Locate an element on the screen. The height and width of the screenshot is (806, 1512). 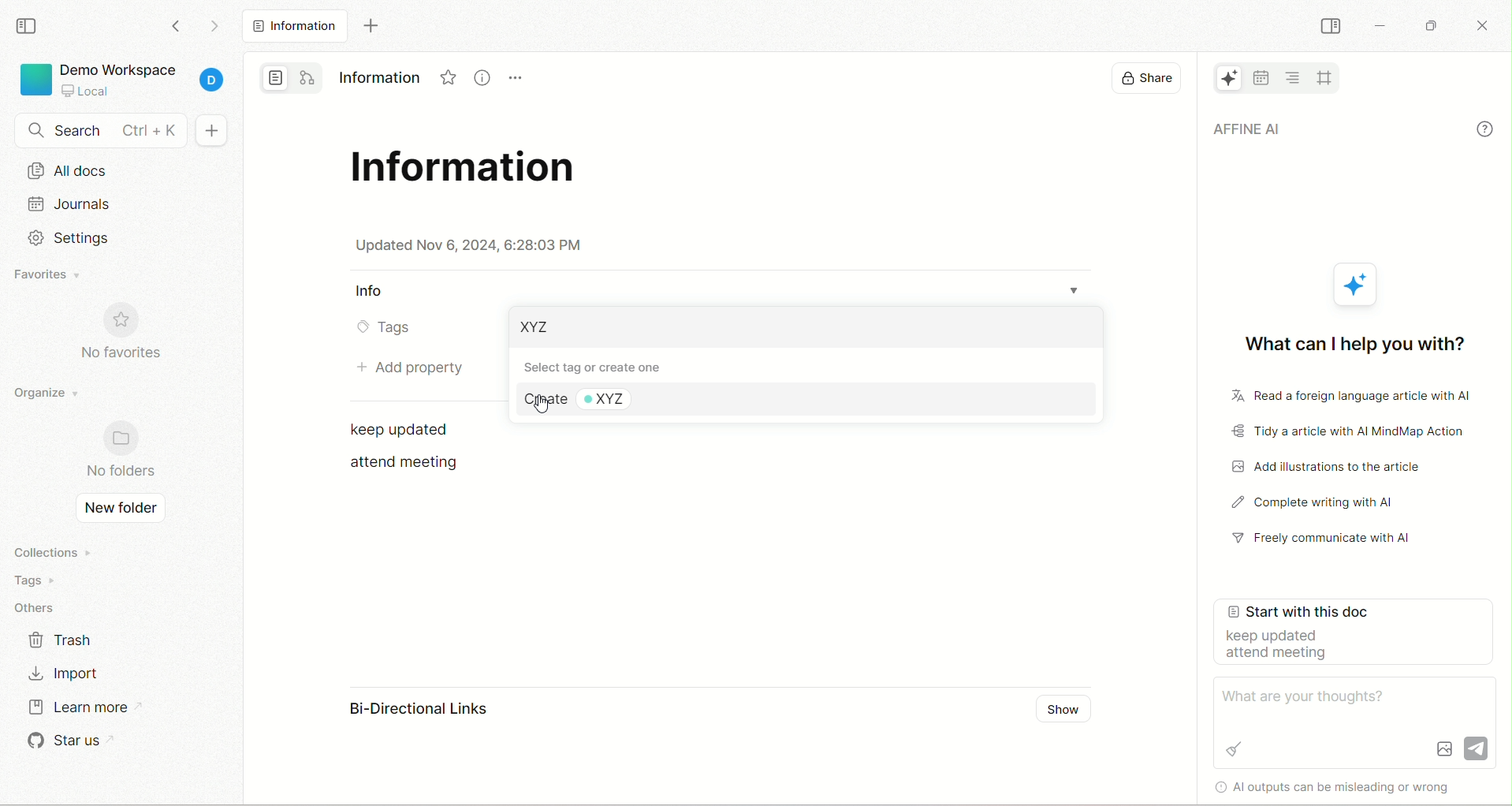
others is located at coordinates (39, 605).